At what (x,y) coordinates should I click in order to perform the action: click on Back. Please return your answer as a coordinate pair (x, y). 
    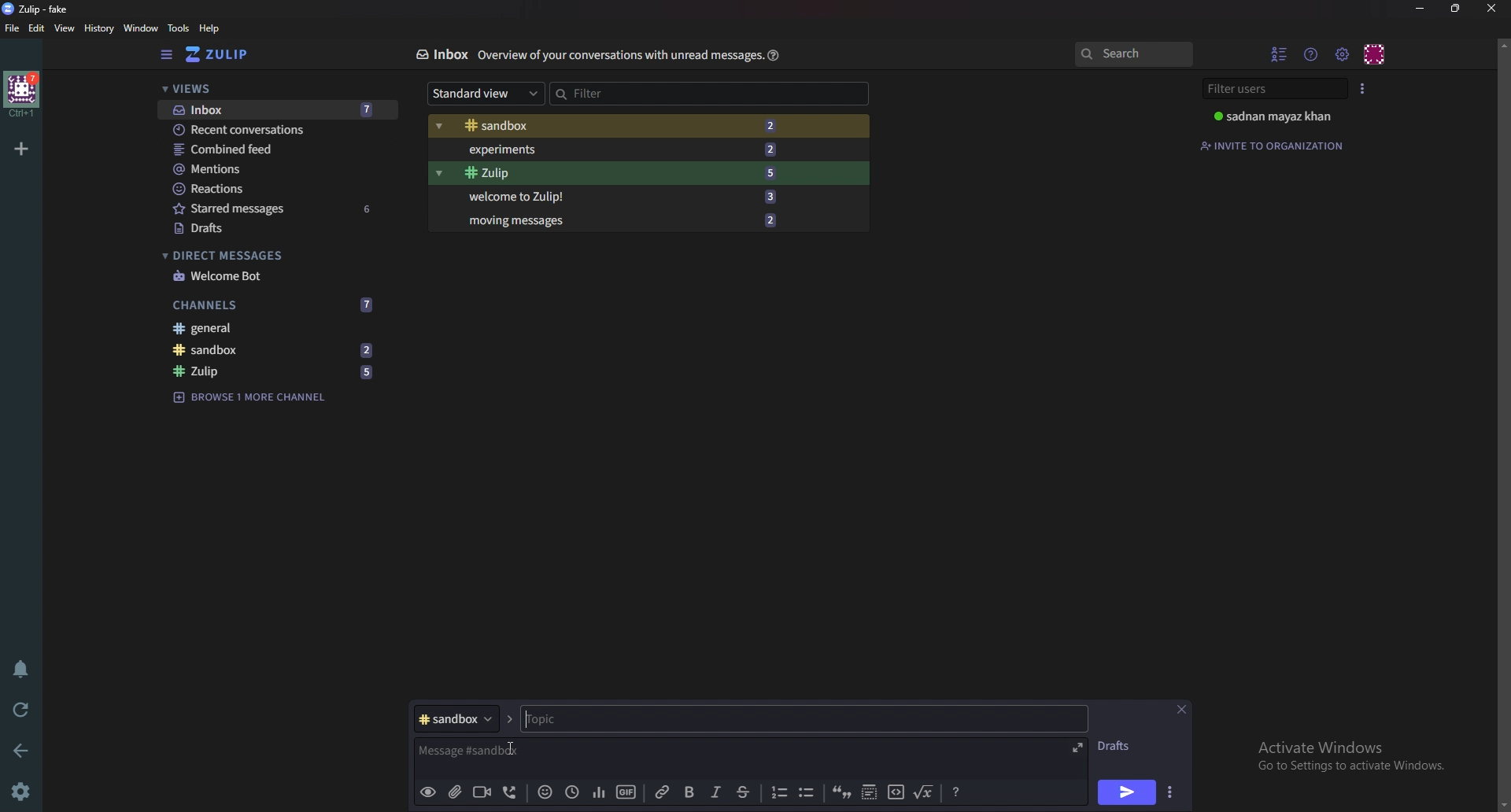
    Looking at the image, I should click on (24, 749).